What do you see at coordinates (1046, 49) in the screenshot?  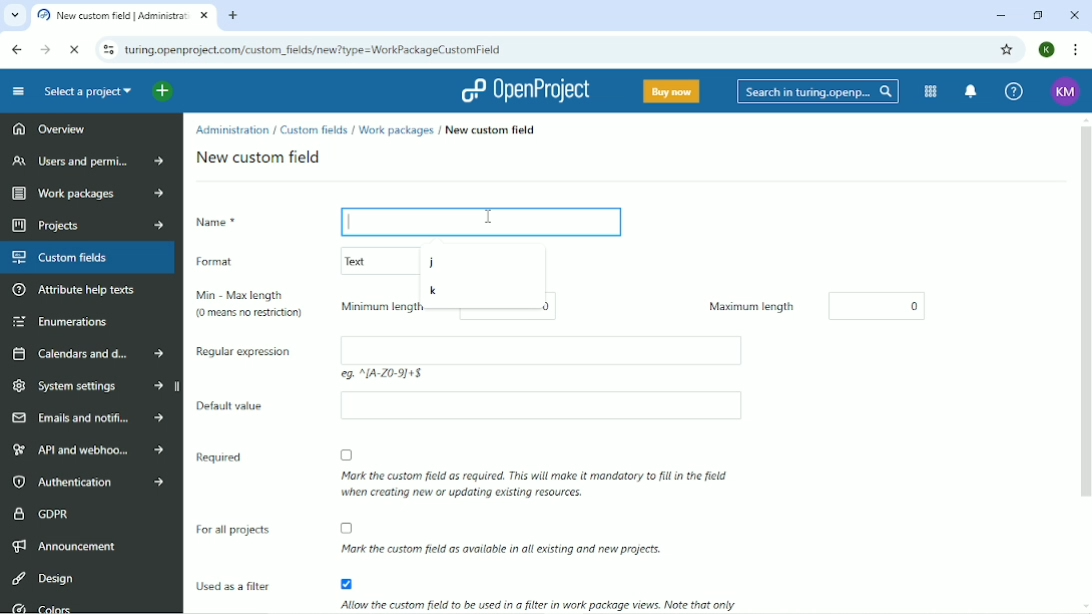 I see `Account` at bounding box center [1046, 49].